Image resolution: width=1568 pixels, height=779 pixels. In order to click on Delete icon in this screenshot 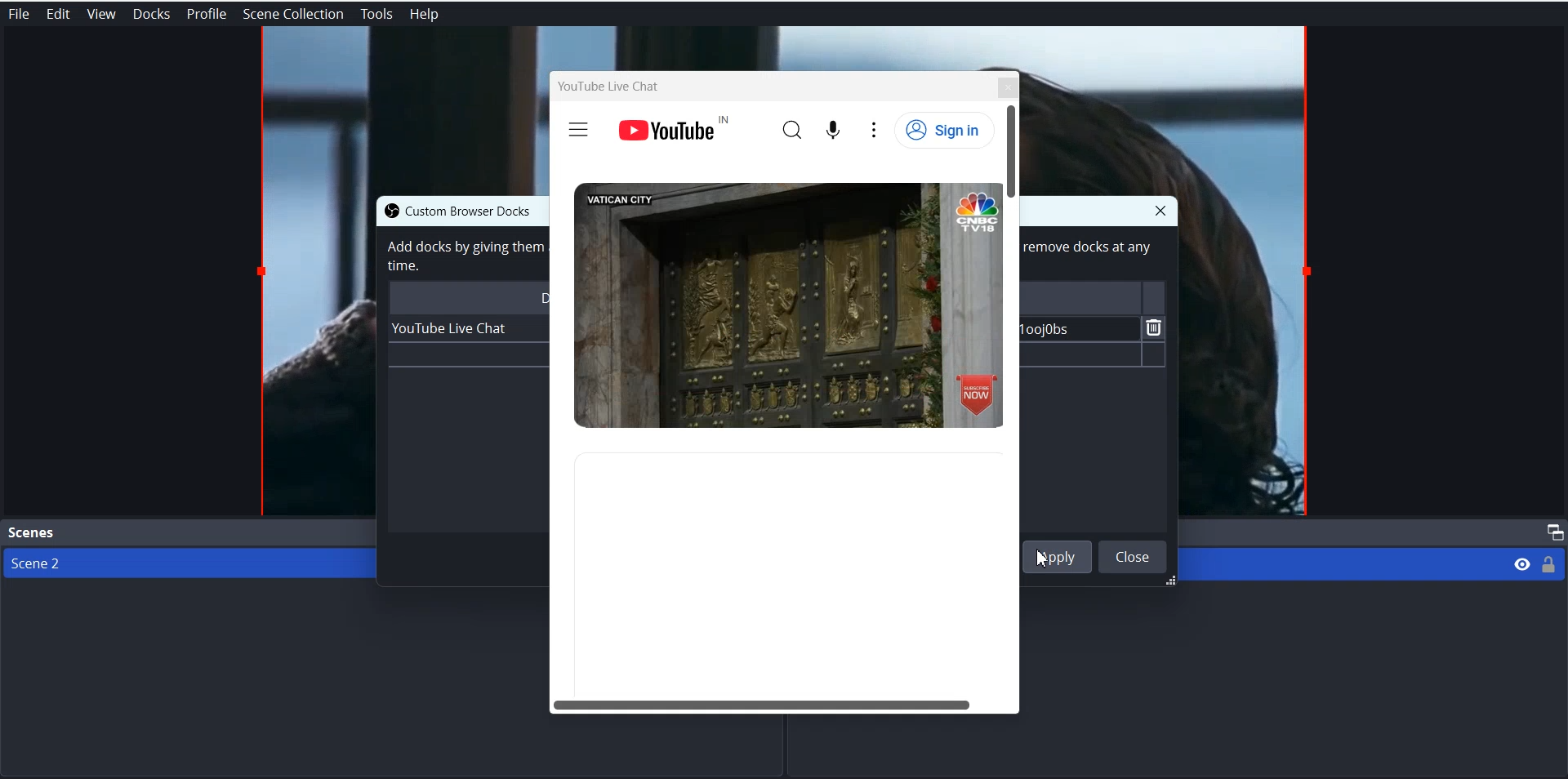, I will do `click(1155, 327)`.